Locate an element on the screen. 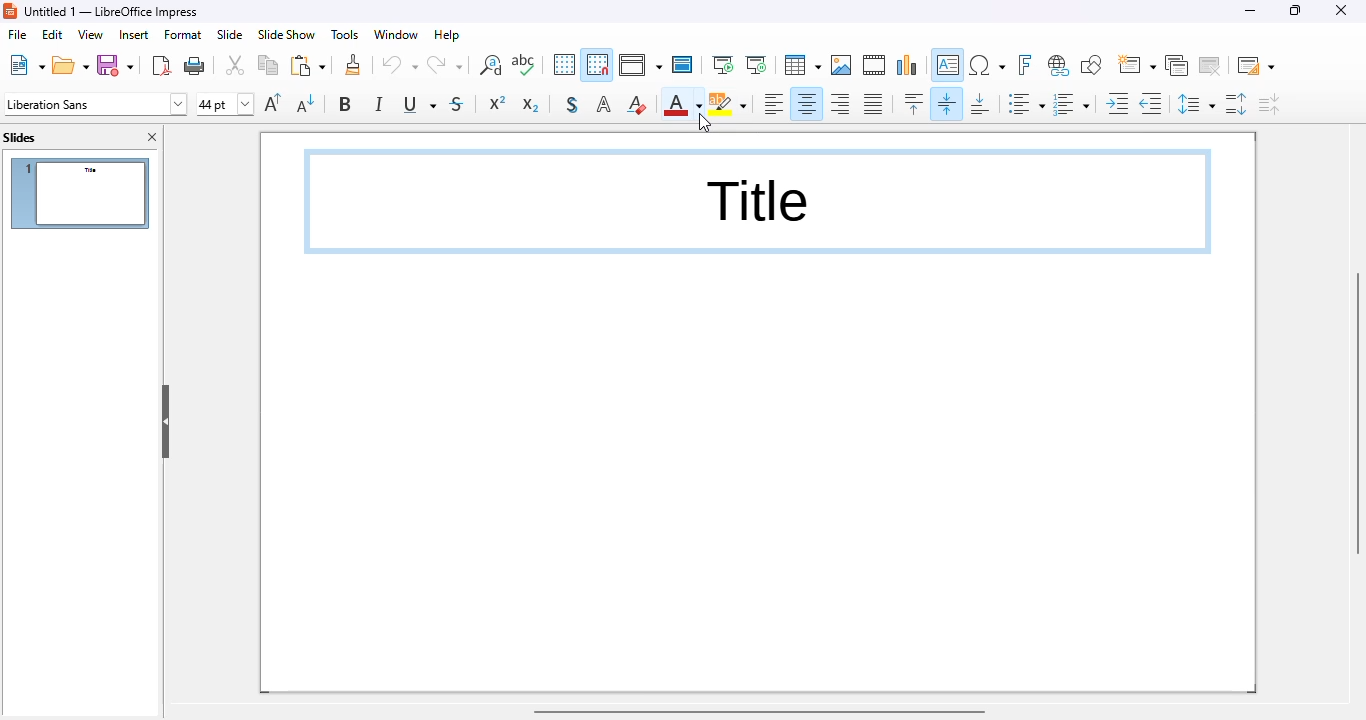 This screenshot has height=720, width=1366. format is located at coordinates (182, 34).